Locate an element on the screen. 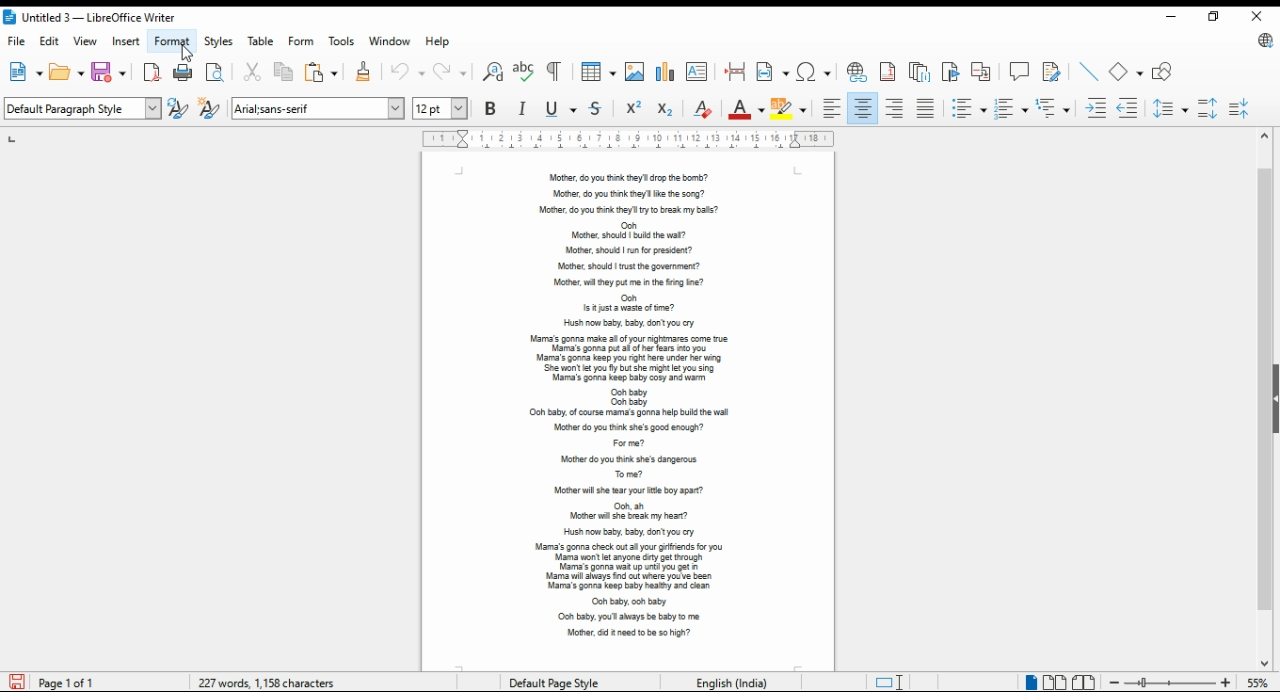  window is located at coordinates (390, 41).